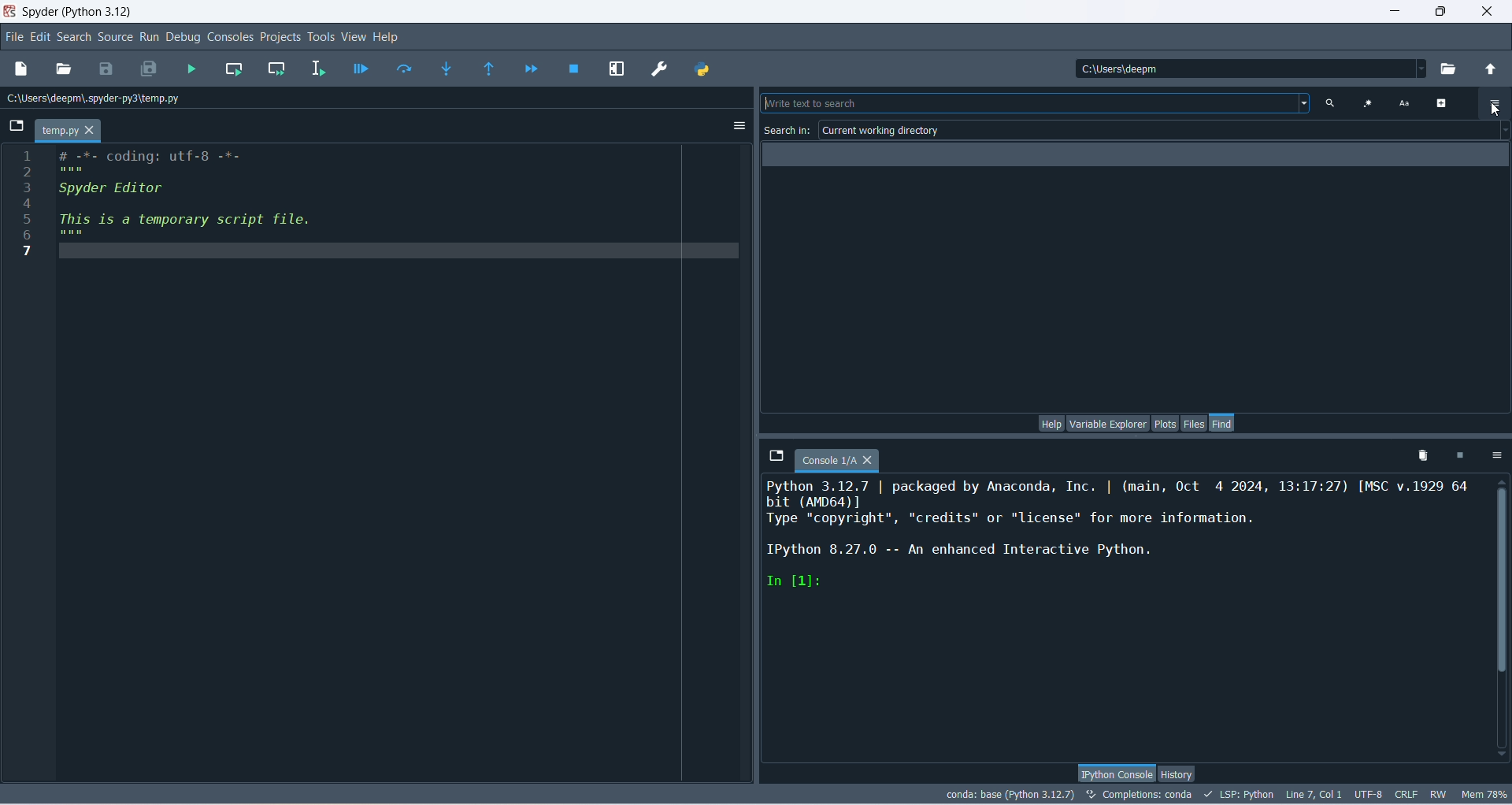 The image size is (1512, 805). What do you see at coordinates (1437, 795) in the screenshot?
I see `RW` at bounding box center [1437, 795].